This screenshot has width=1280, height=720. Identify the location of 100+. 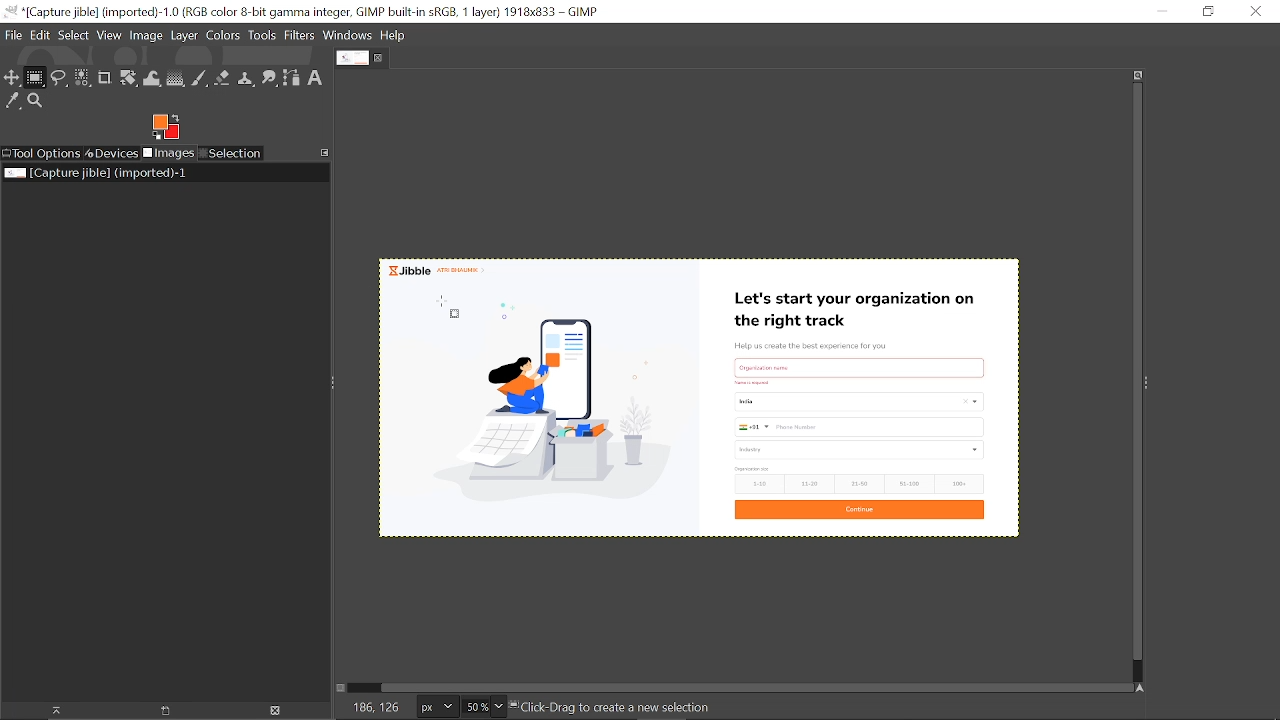
(959, 484).